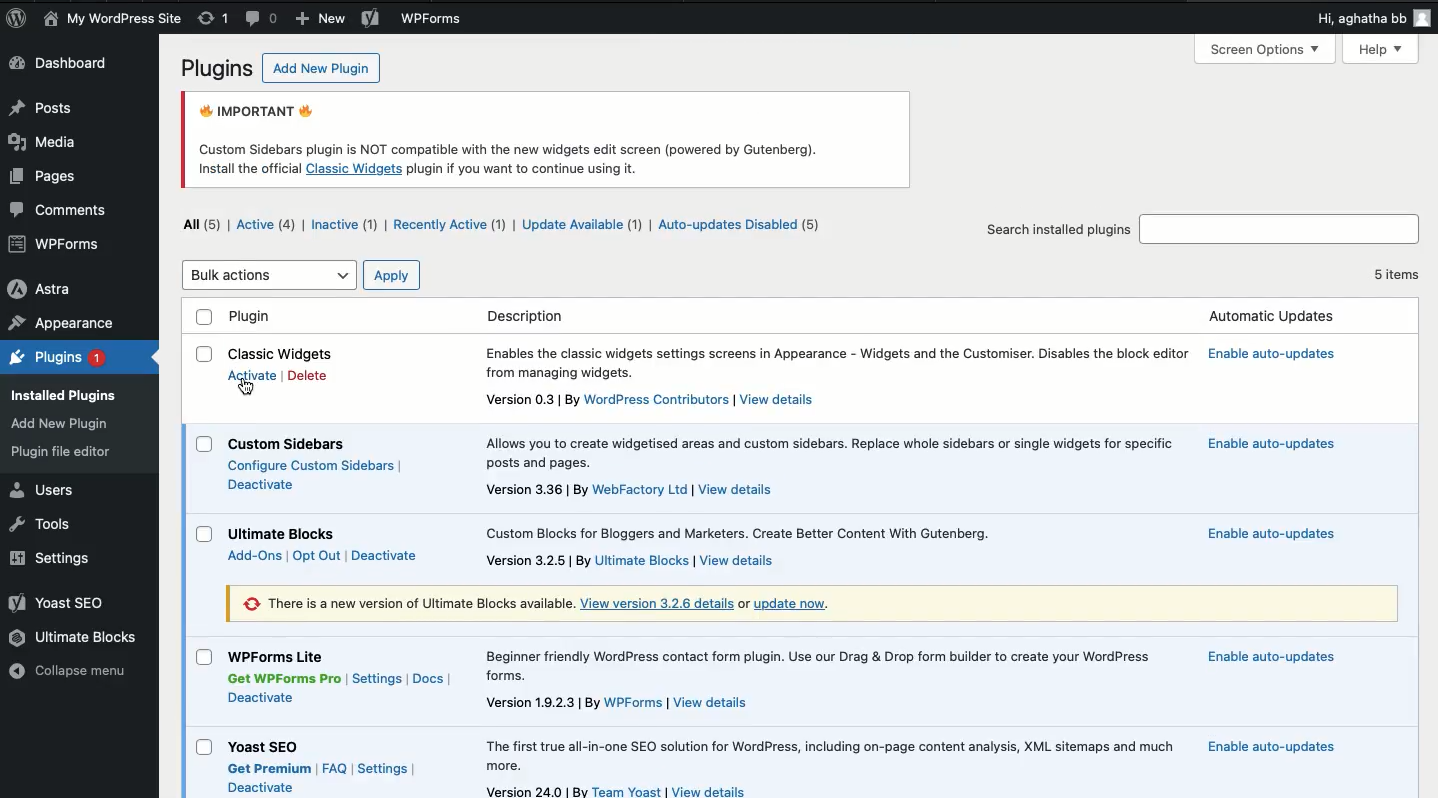  What do you see at coordinates (266, 225) in the screenshot?
I see `Active` at bounding box center [266, 225].